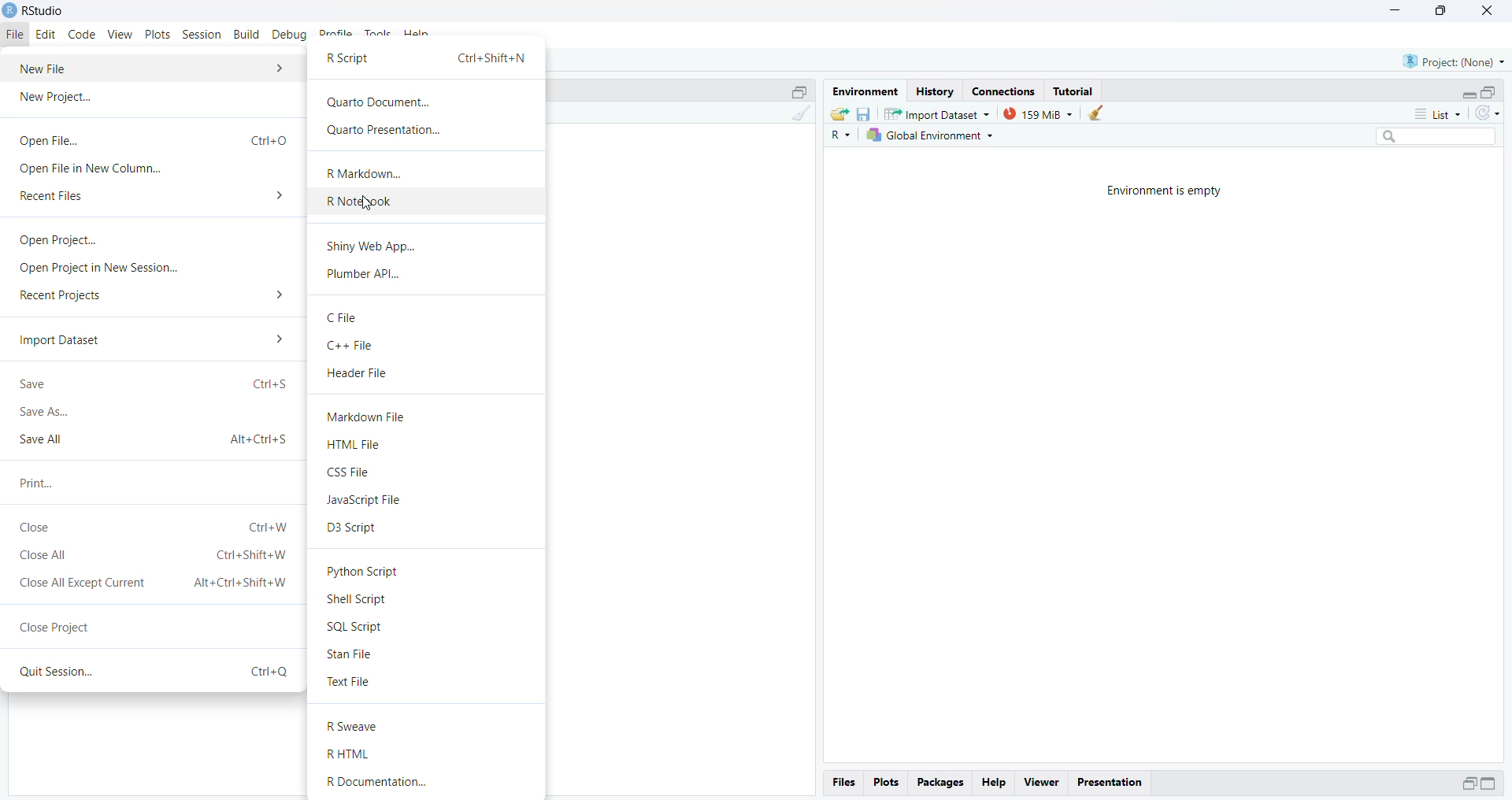 The image size is (1512, 800). What do you see at coordinates (1430, 113) in the screenshot?
I see `list` at bounding box center [1430, 113].